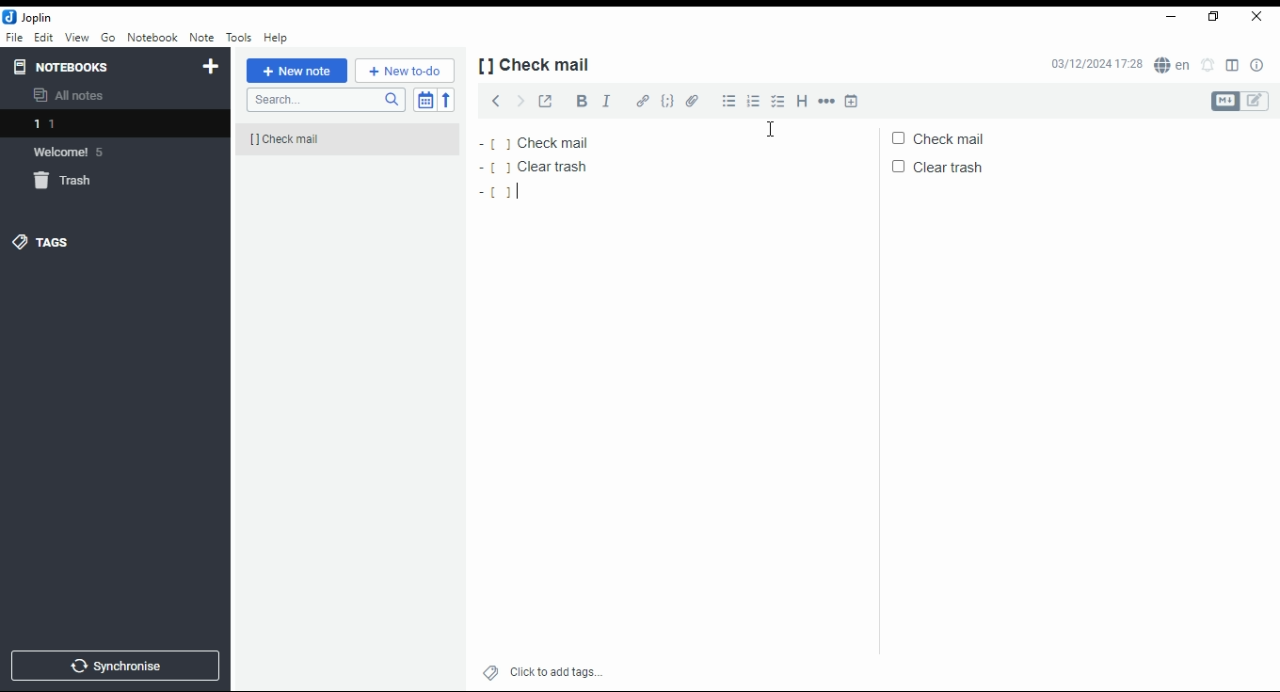 The width and height of the screenshot is (1280, 692). What do you see at coordinates (520, 100) in the screenshot?
I see `next` at bounding box center [520, 100].